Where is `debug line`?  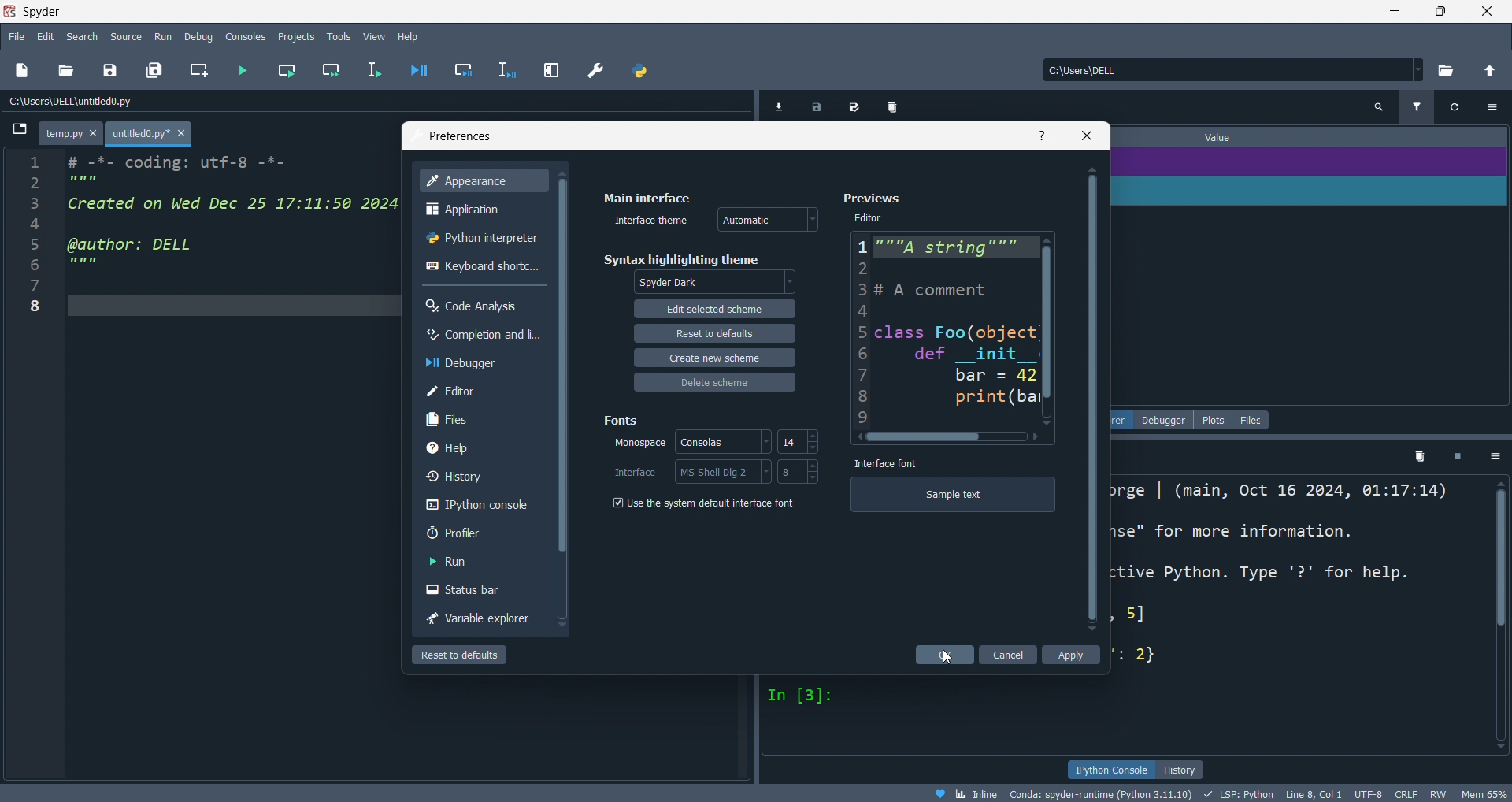
debug line is located at coordinates (505, 70).